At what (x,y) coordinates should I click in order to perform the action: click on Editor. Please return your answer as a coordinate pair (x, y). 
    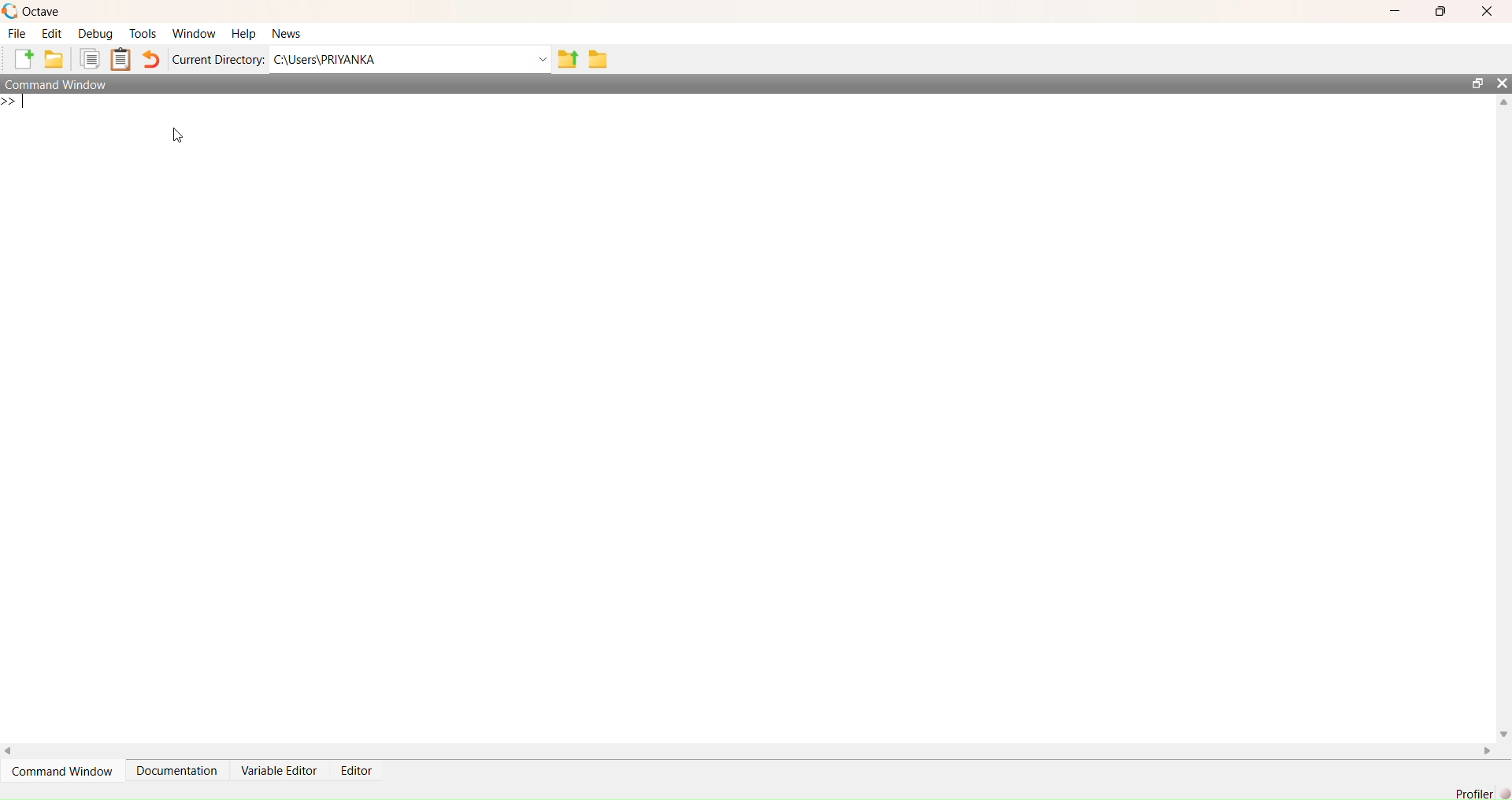
    Looking at the image, I should click on (354, 769).